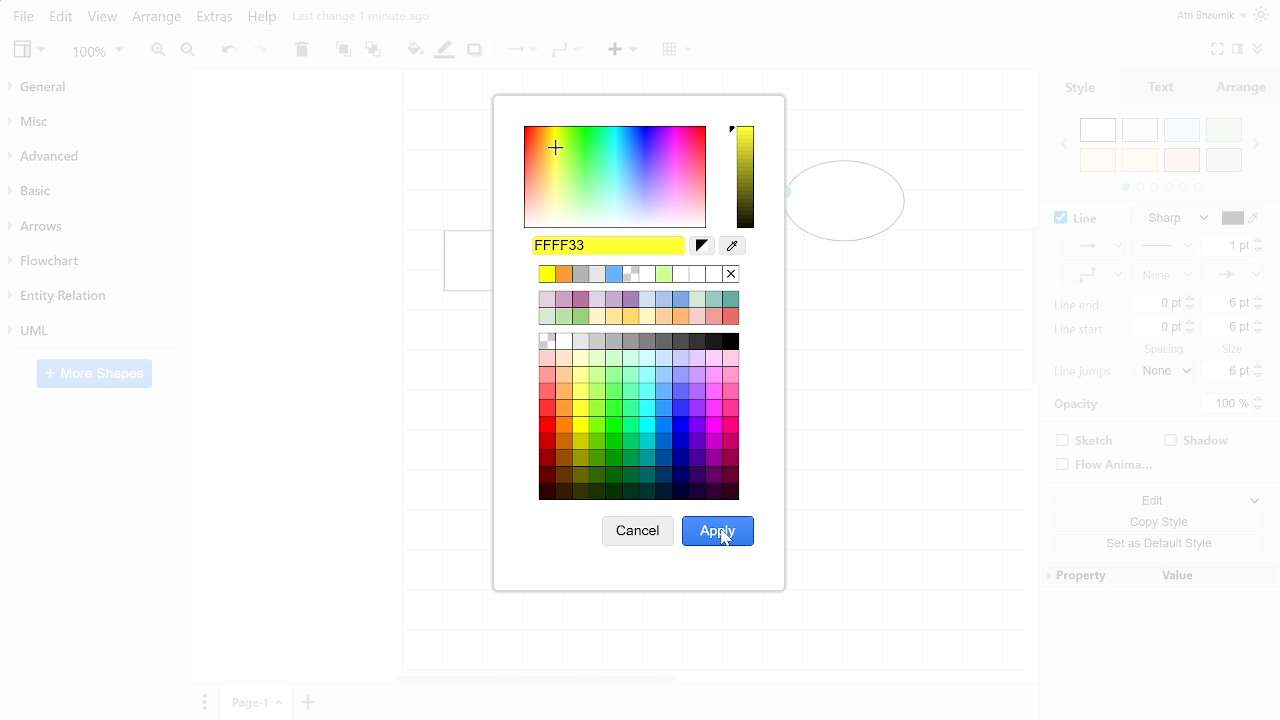 The image size is (1280, 720). Describe the element at coordinates (640, 383) in the screenshot. I see `Colors` at that location.